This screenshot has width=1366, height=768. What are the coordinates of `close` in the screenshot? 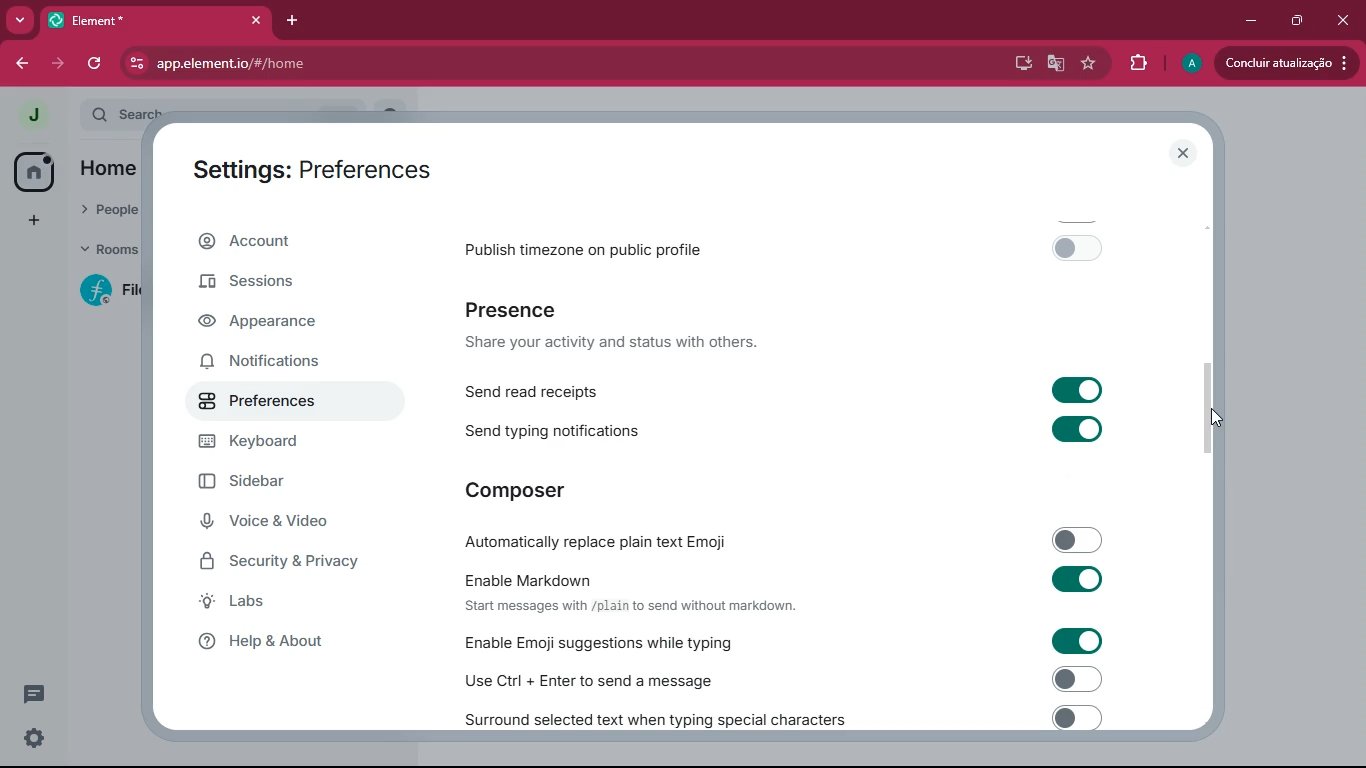 It's located at (1341, 20).